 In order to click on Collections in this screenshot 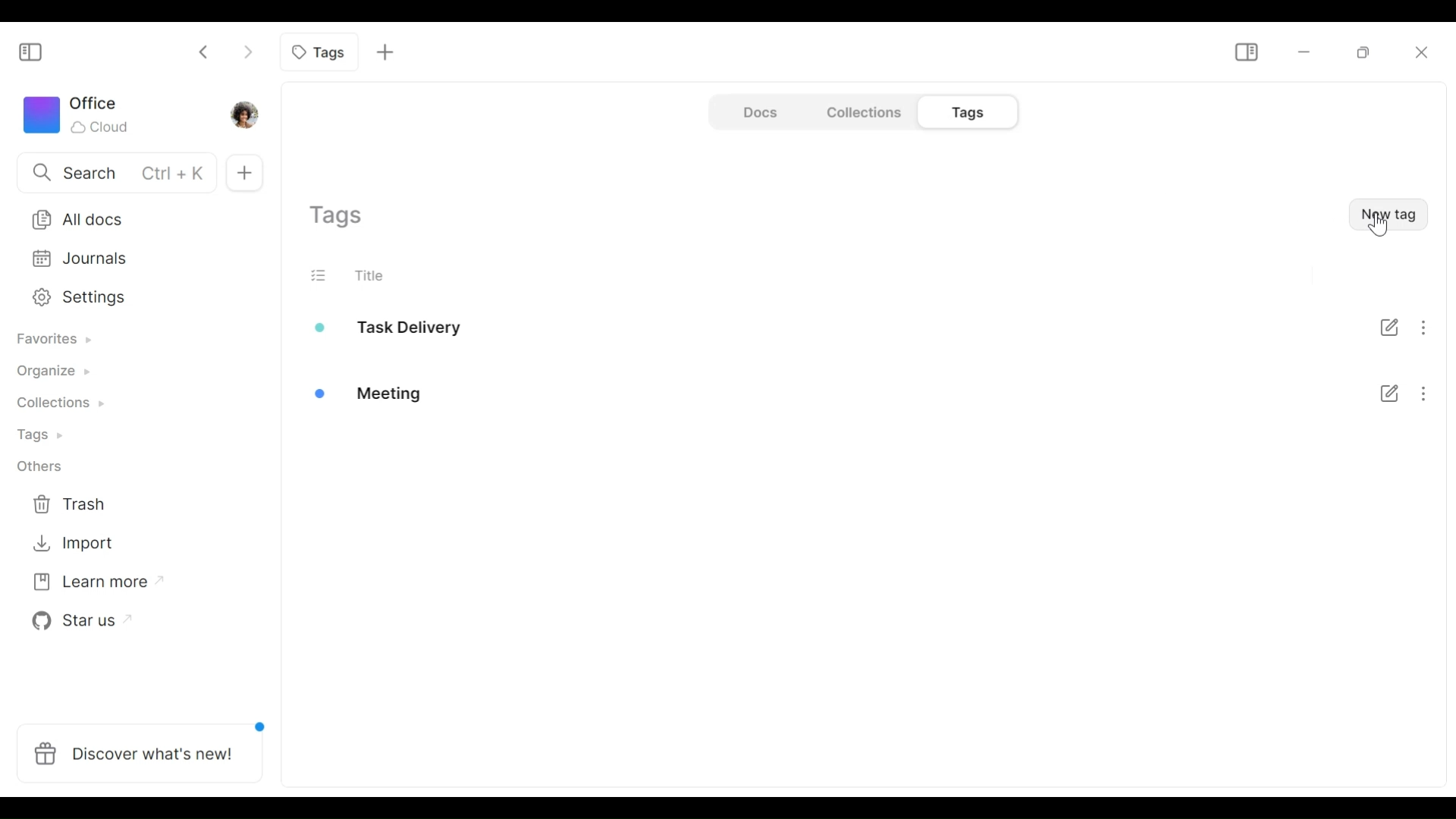, I will do `click(54, 407)`.